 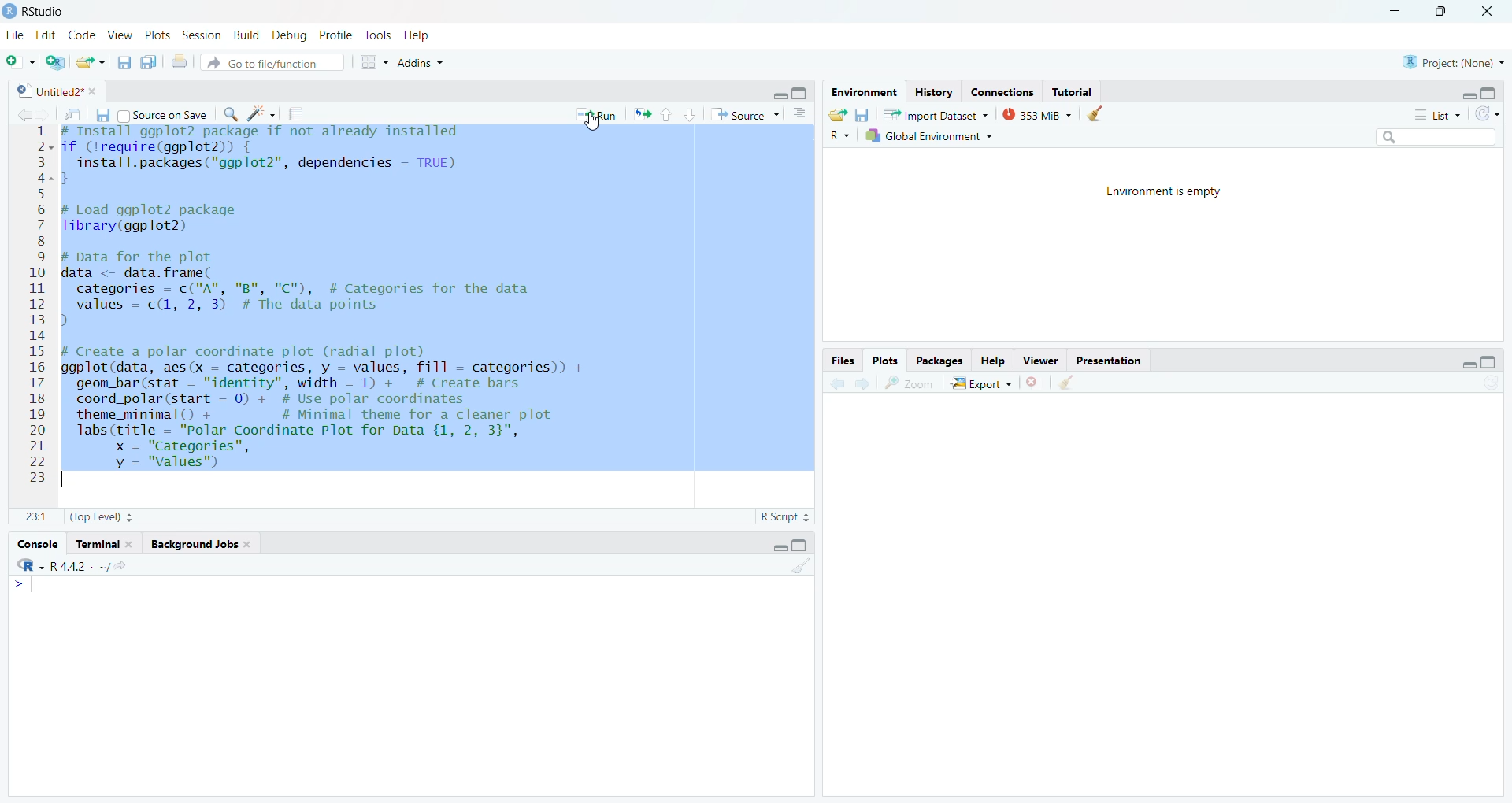 I want to click on  Untitled2, so click(x=53, y=91).